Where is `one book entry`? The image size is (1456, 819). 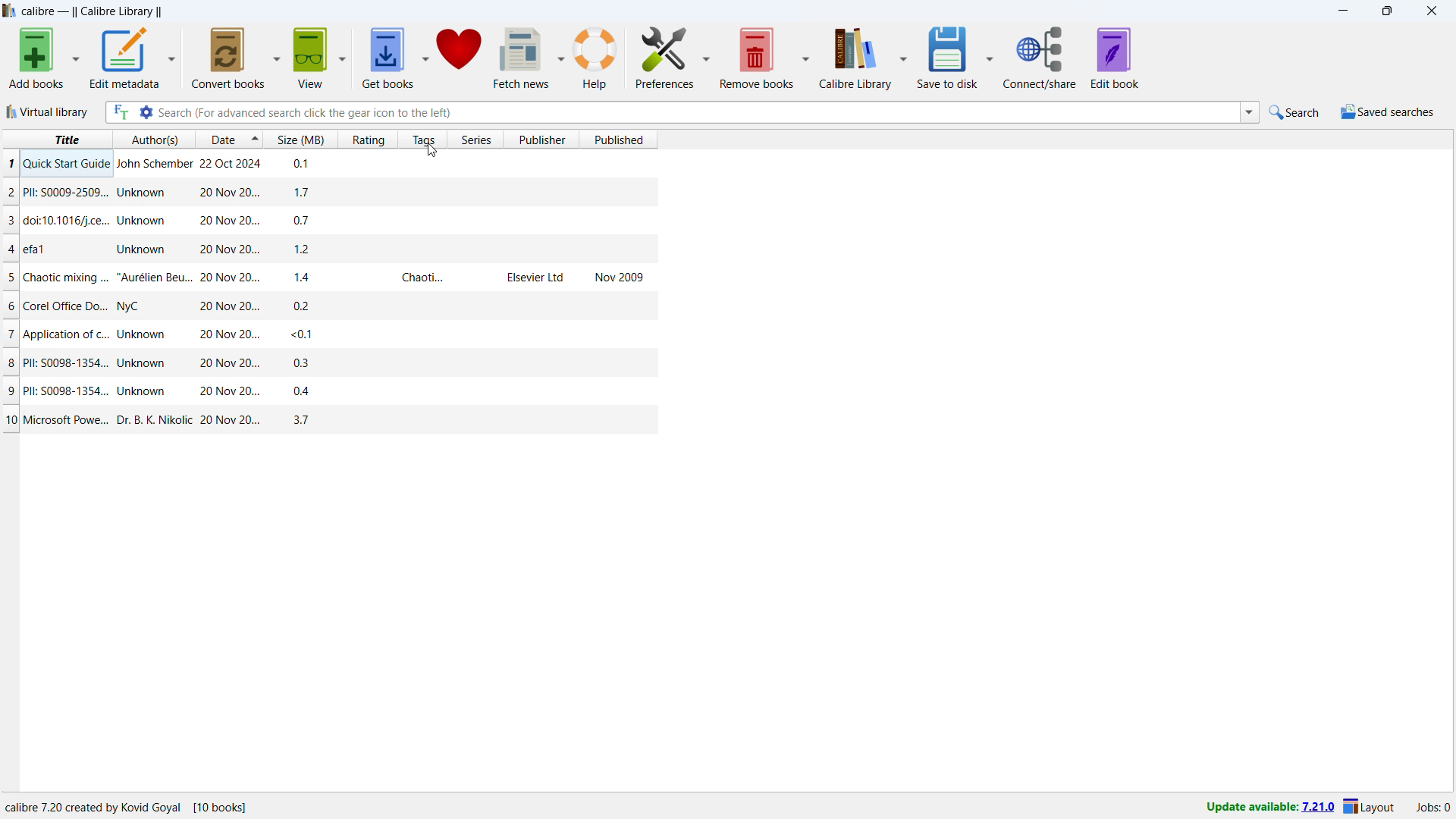
one book entry is located at coordinates (332, 423).